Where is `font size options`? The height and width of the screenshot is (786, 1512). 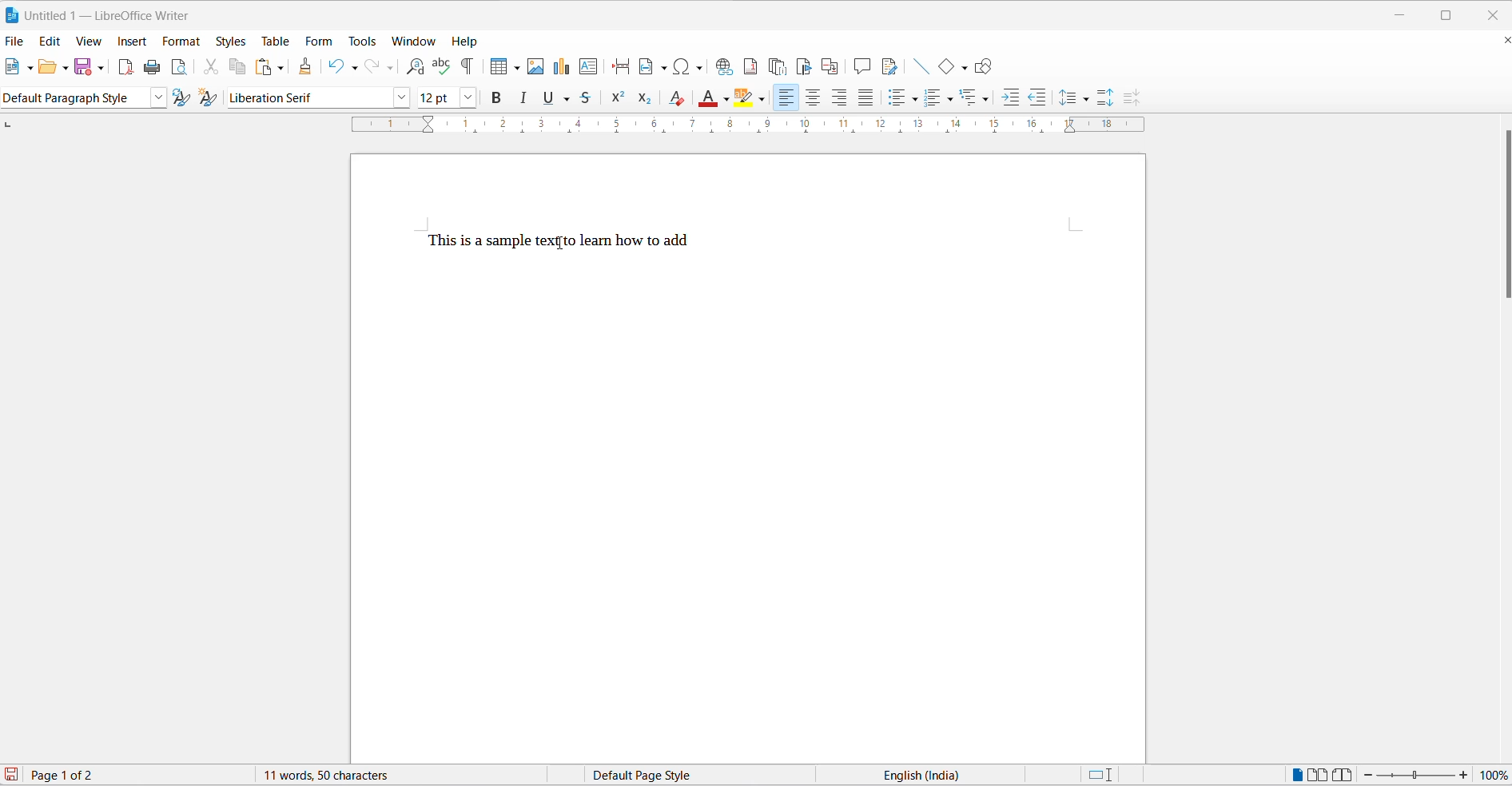
font size options is located at coordinates (467, 98).